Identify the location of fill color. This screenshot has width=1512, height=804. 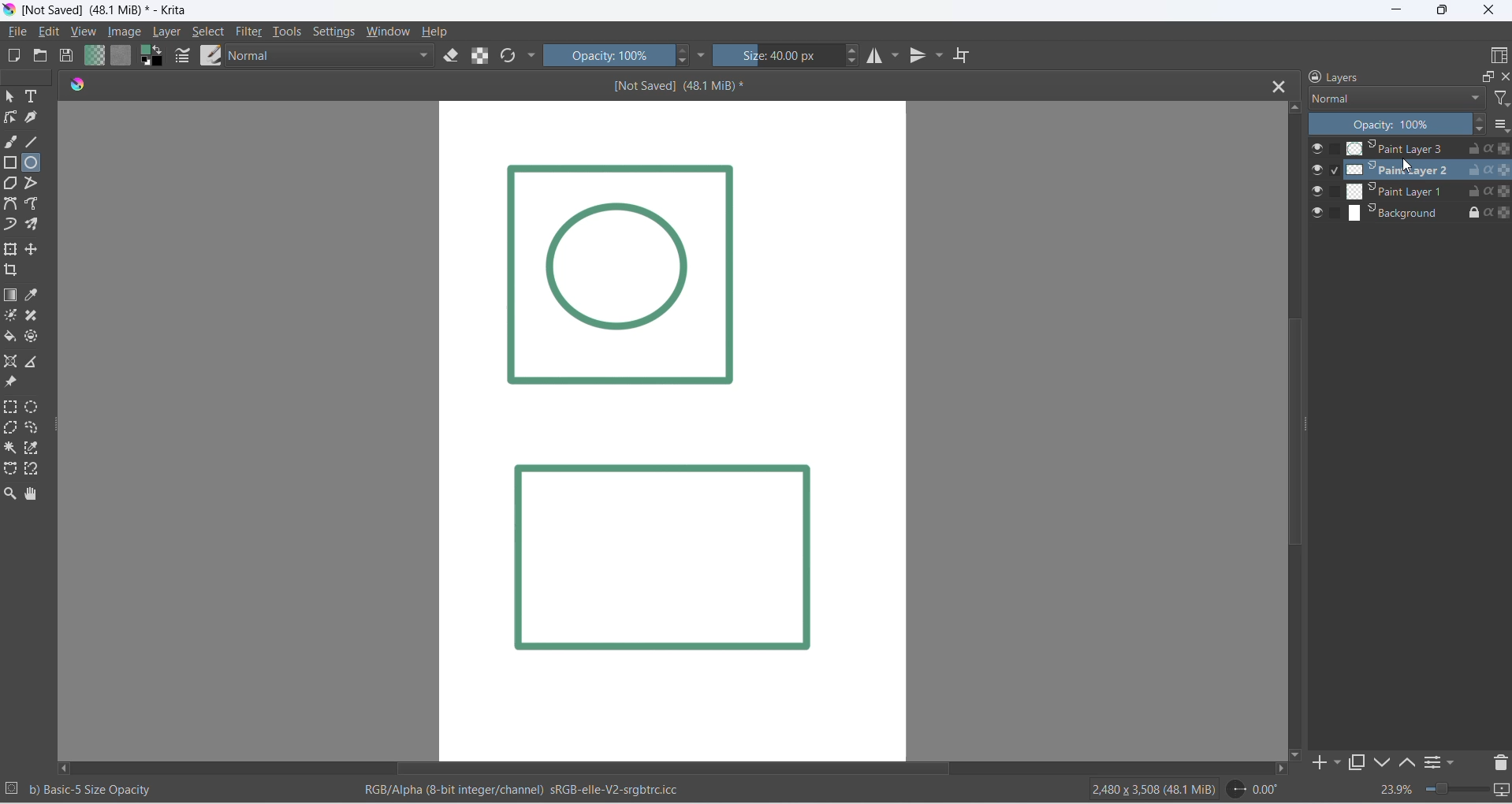
(13, 338).